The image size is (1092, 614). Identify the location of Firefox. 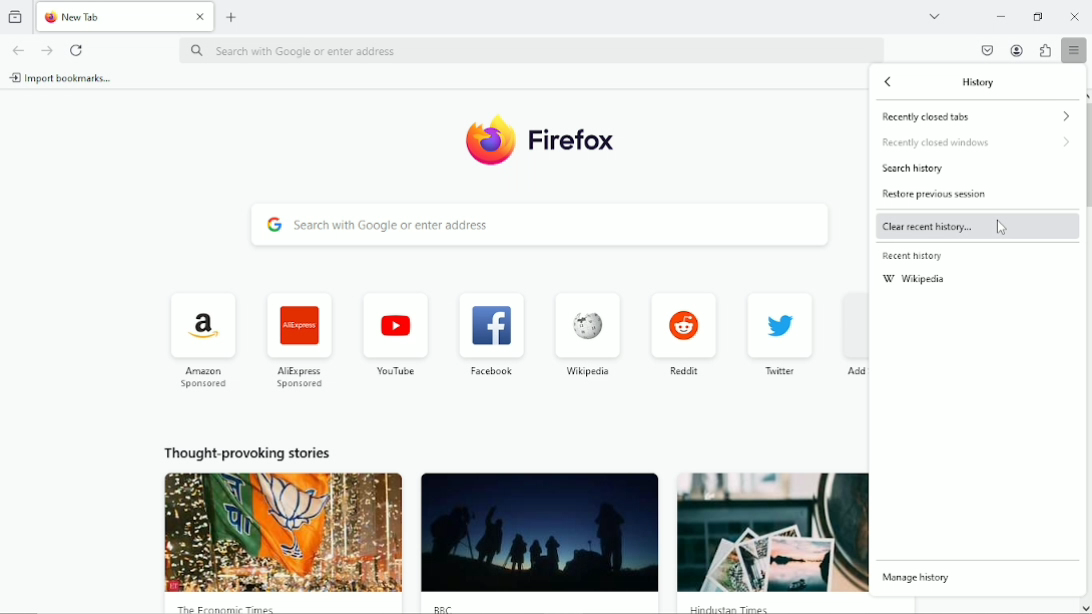
(571, 139).